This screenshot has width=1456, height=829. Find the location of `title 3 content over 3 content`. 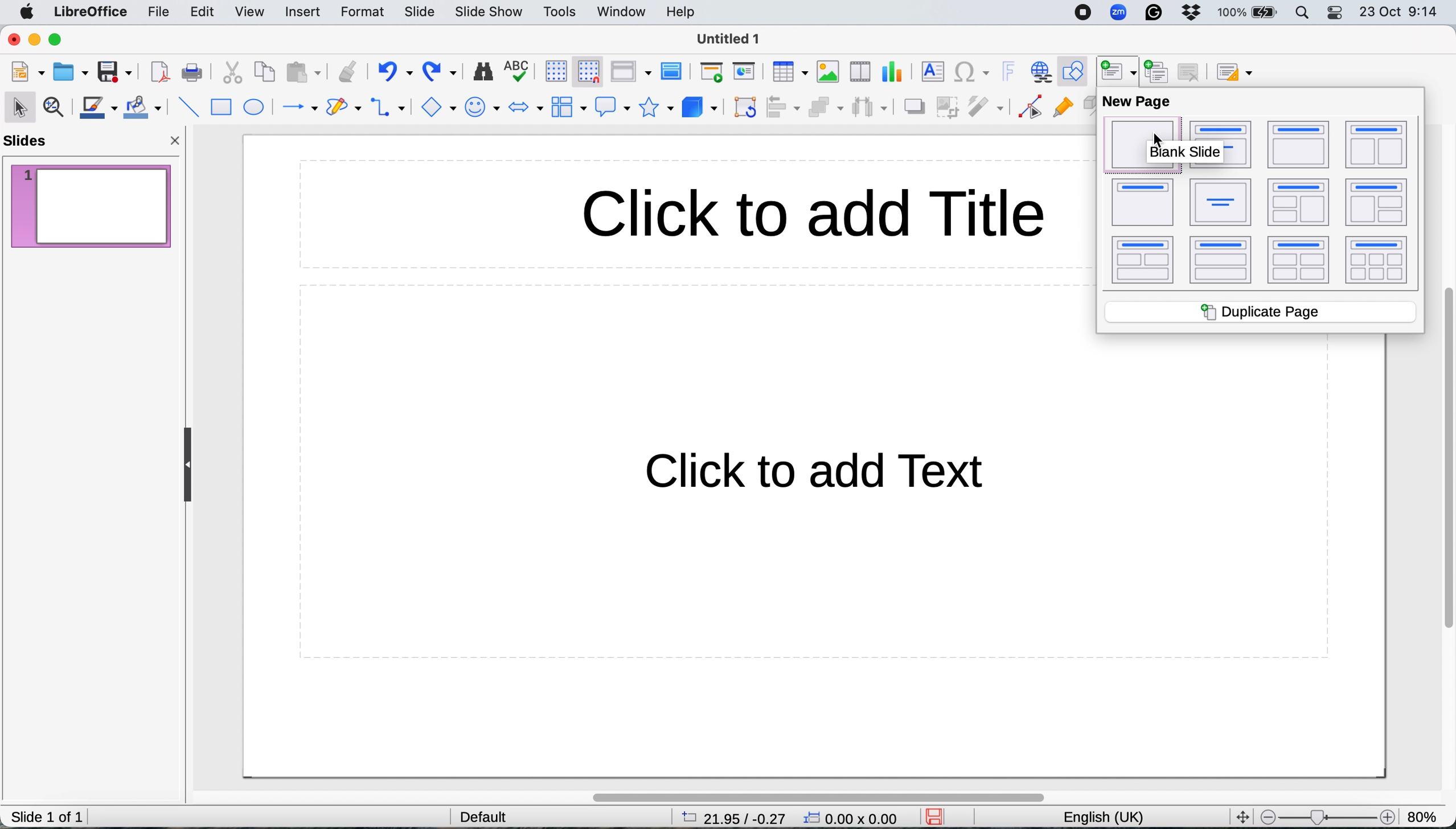

title 3 content over 3 content is located at coordinates (1378, 262).